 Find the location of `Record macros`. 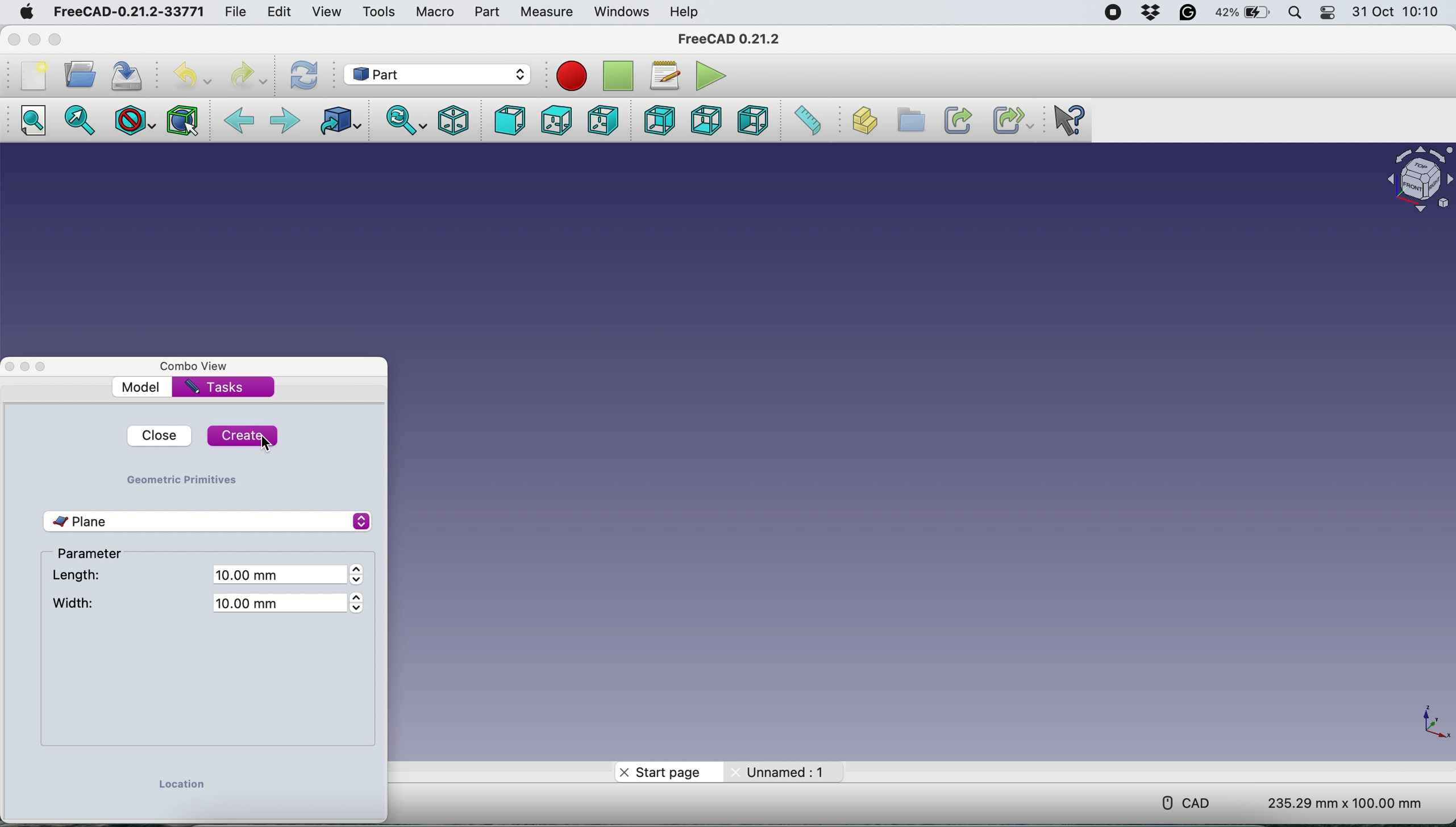

Record macros is located at coordinates (573, 76).